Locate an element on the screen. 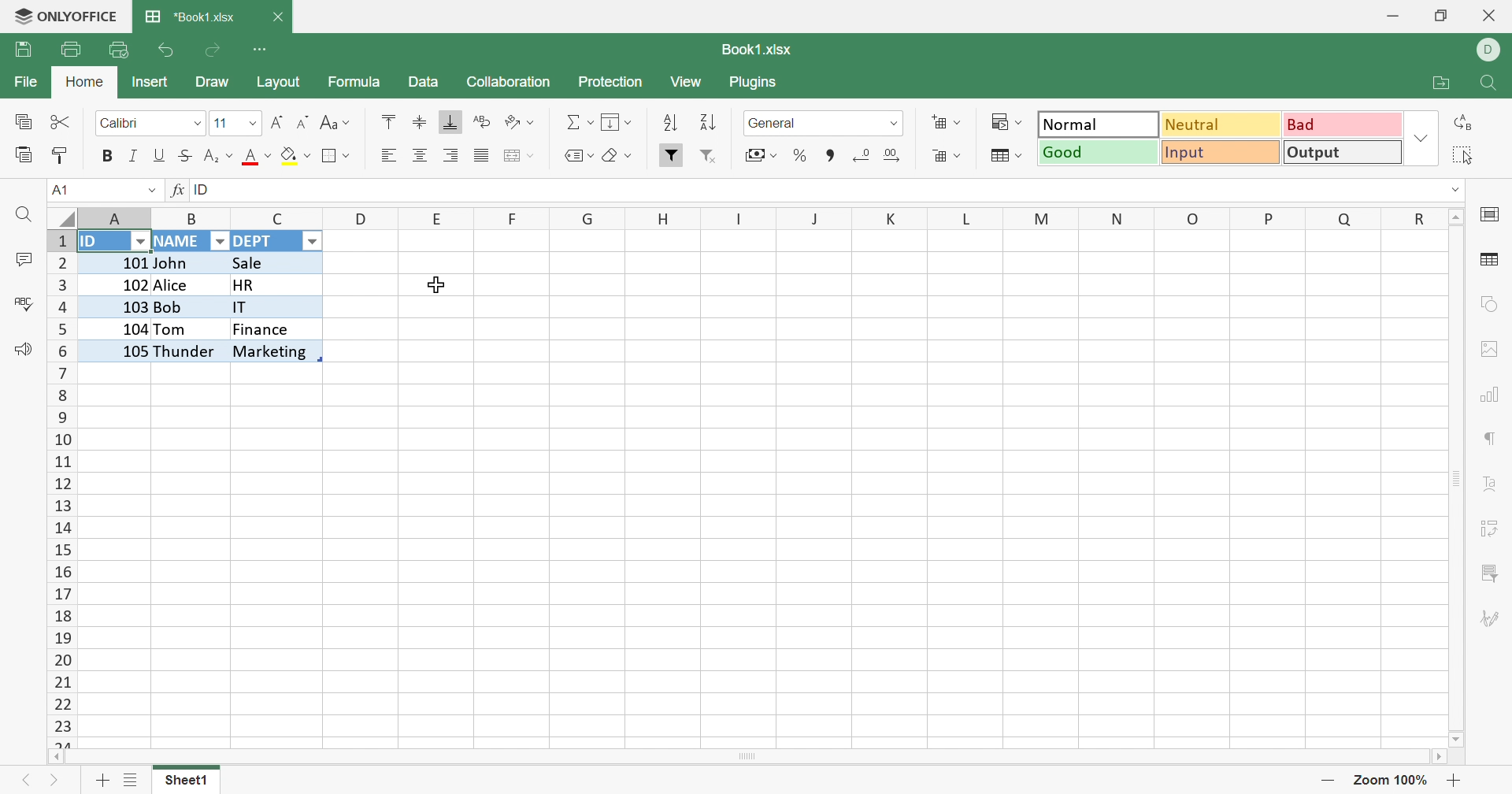 This screenshot has height=794, width=1512. Undo is located at coordinates (165, 50).